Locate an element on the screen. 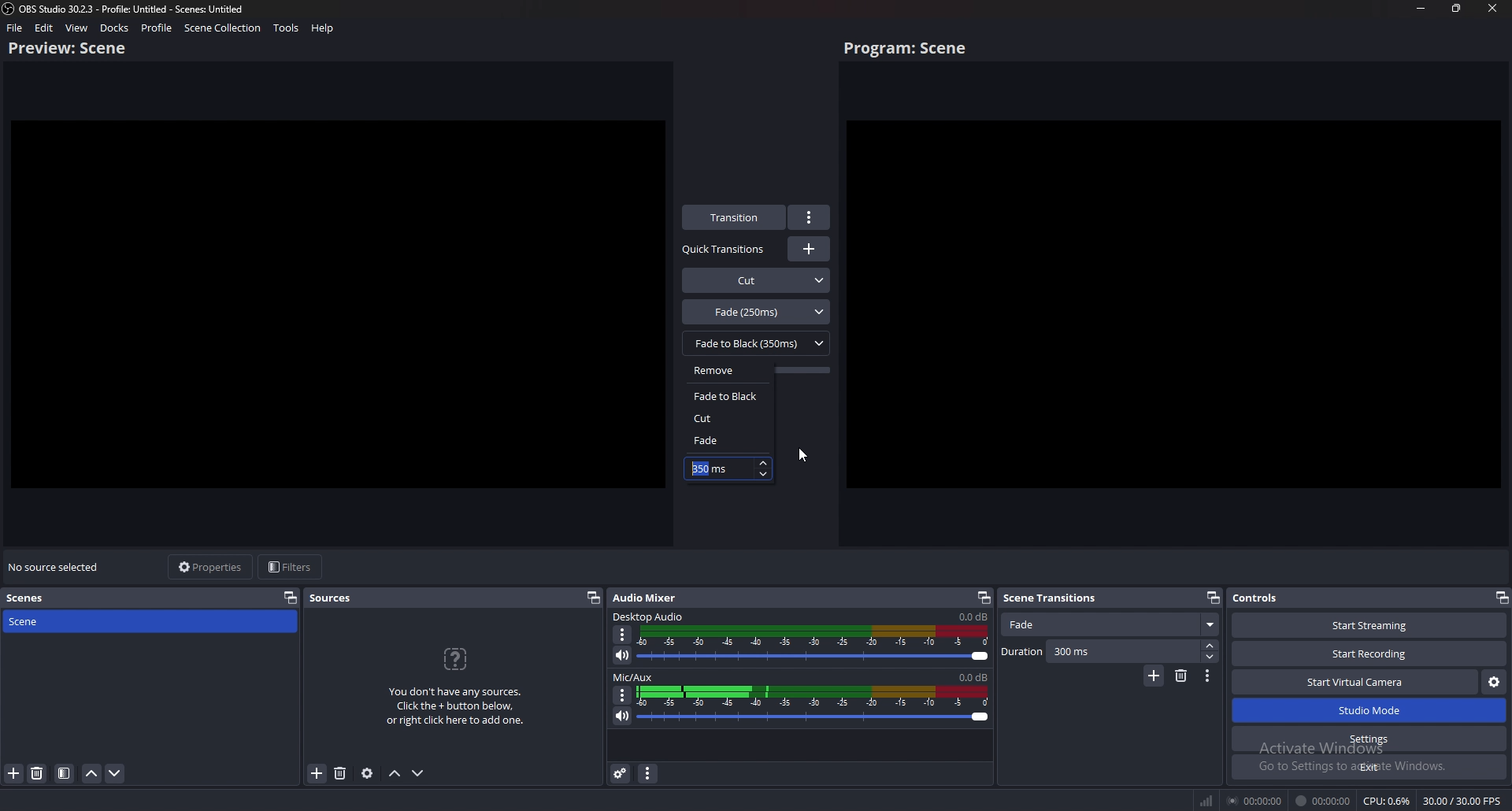 The width and height of the screenshot is (1512, 811). Fade is located at coordinates (1112, 625).